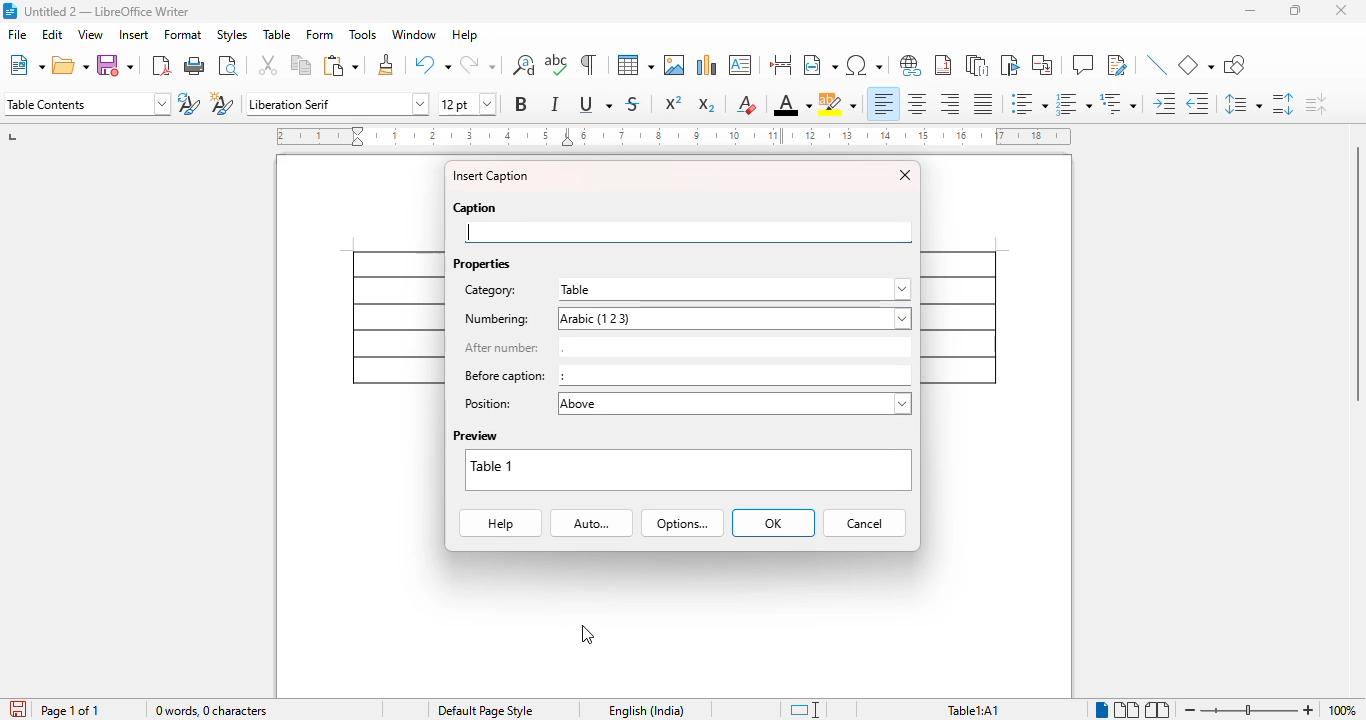 This screenshot has width=1366, height=720. What do you see at coordinates (490, 176) in the screenshot?
I see `insert caption` at bounding box center [490, 176].